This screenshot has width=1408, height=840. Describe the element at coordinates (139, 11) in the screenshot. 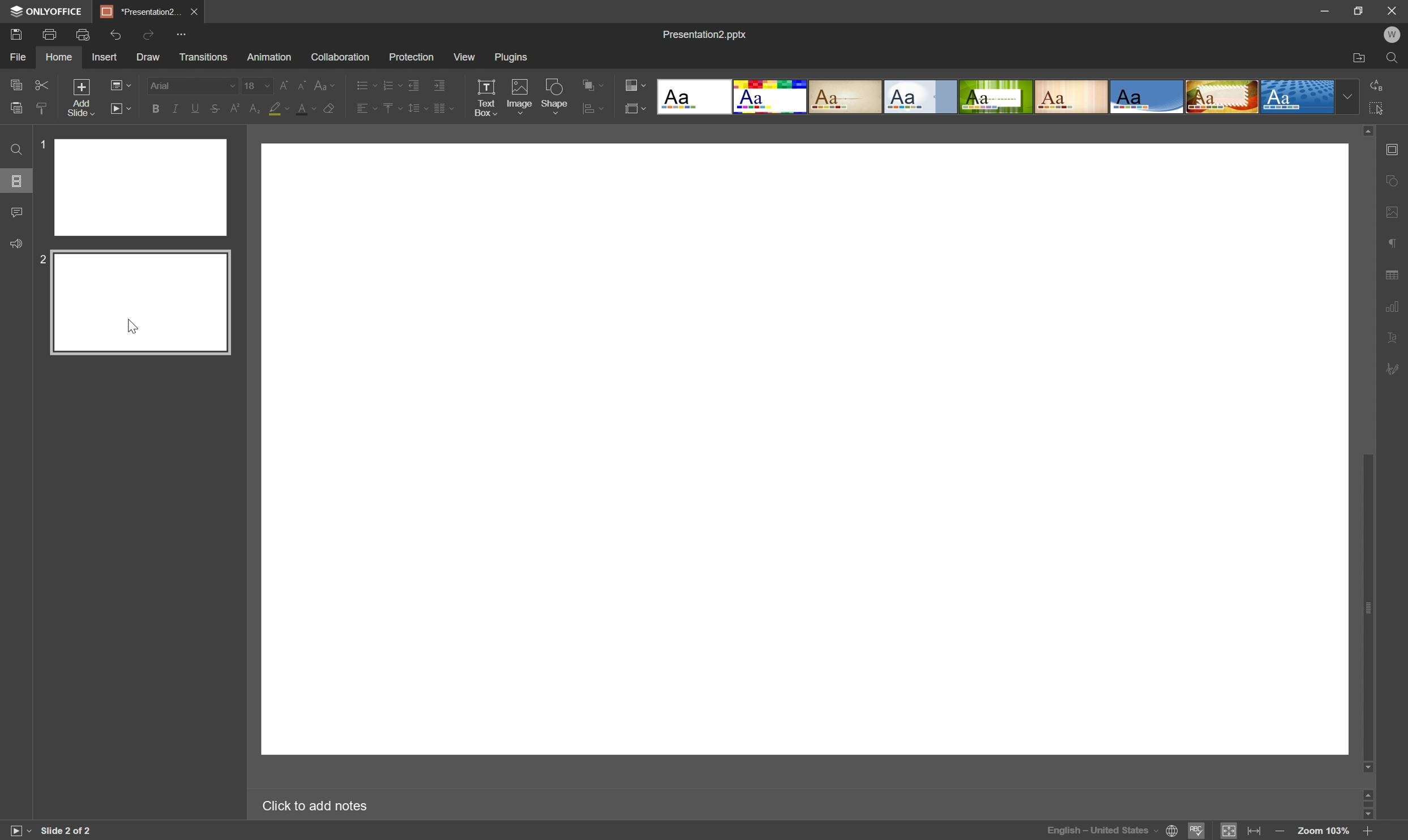

I see `*Presentation2...` at that location.